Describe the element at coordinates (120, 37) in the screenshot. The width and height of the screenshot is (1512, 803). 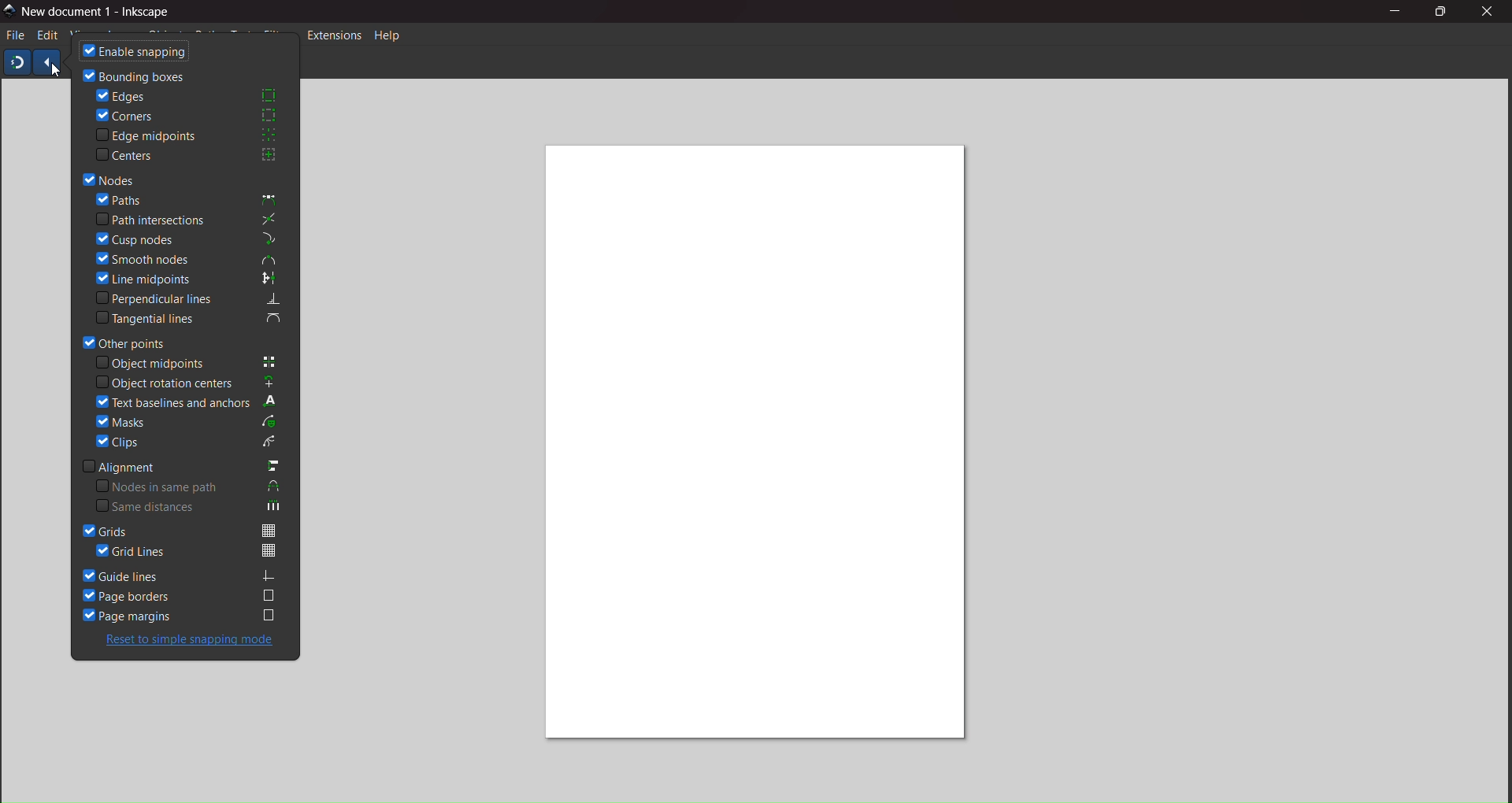
I see `layer` at that location.